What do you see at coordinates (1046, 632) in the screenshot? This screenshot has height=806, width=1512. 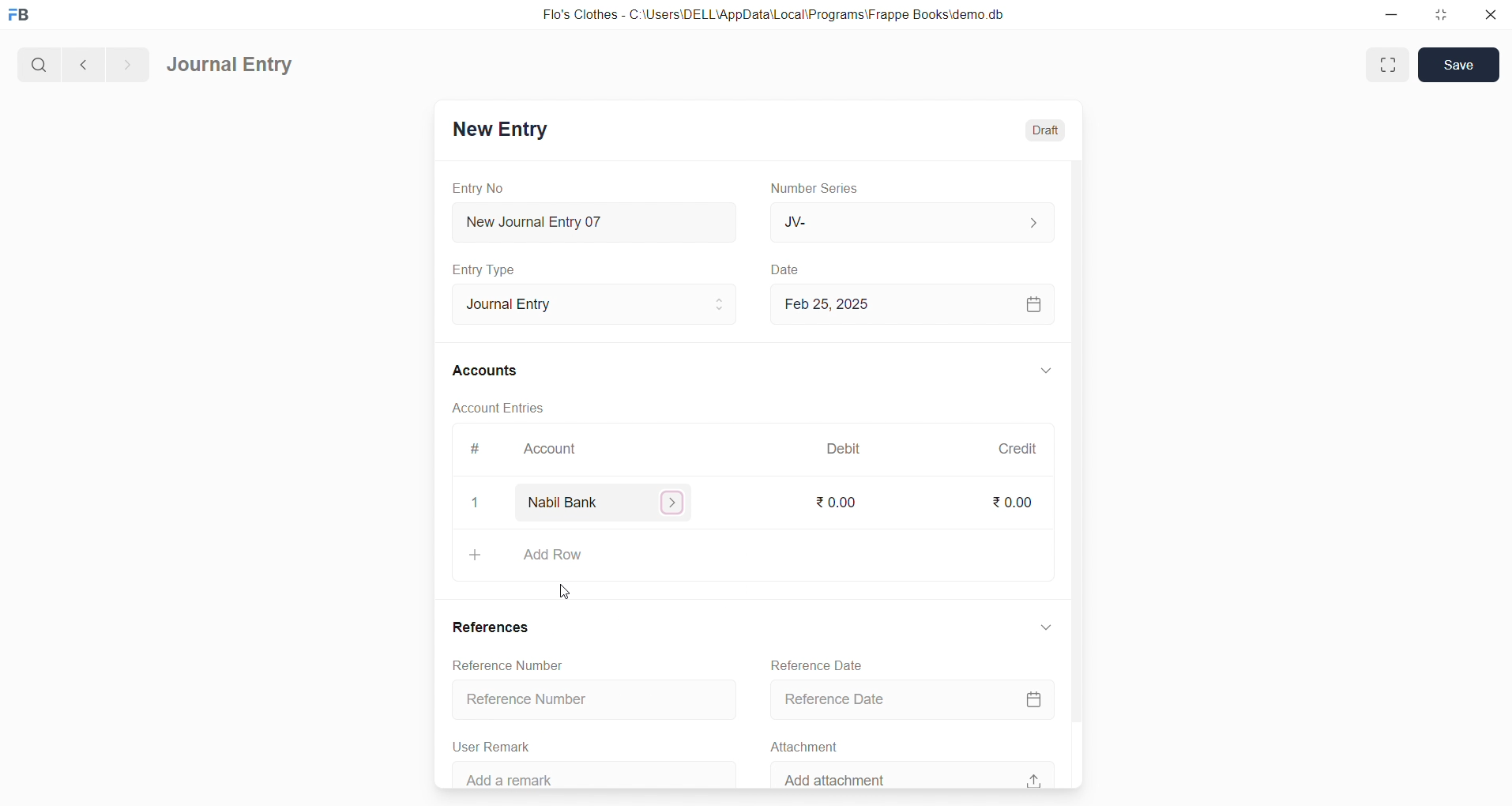 I see `expand/collapse` at bounding box center [1046, 632].